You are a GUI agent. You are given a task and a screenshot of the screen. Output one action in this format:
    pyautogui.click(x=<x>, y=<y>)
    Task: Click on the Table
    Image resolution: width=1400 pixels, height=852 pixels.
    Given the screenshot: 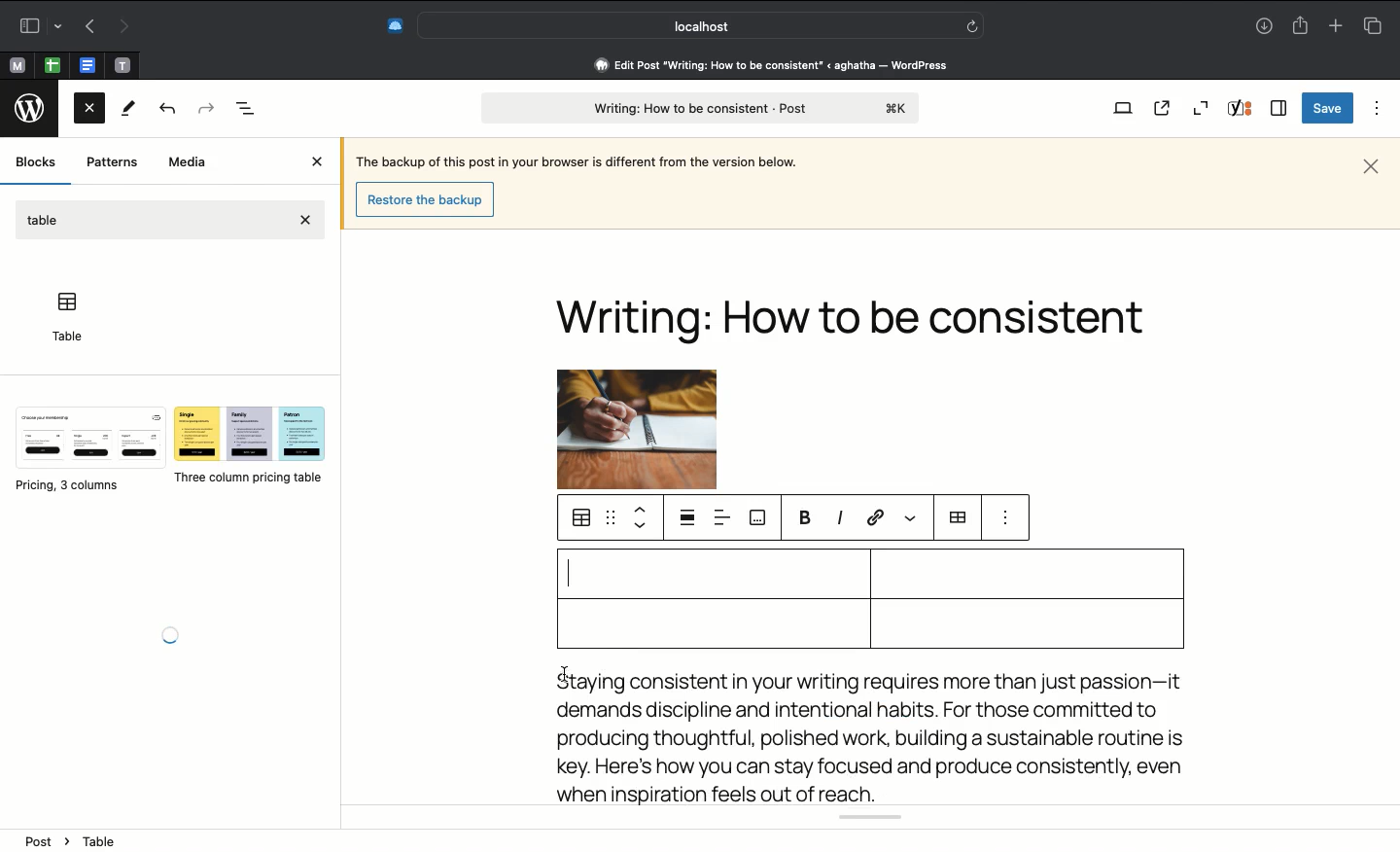 What is the action you would take?
    pyautogui.click(x=582, y=519)
    